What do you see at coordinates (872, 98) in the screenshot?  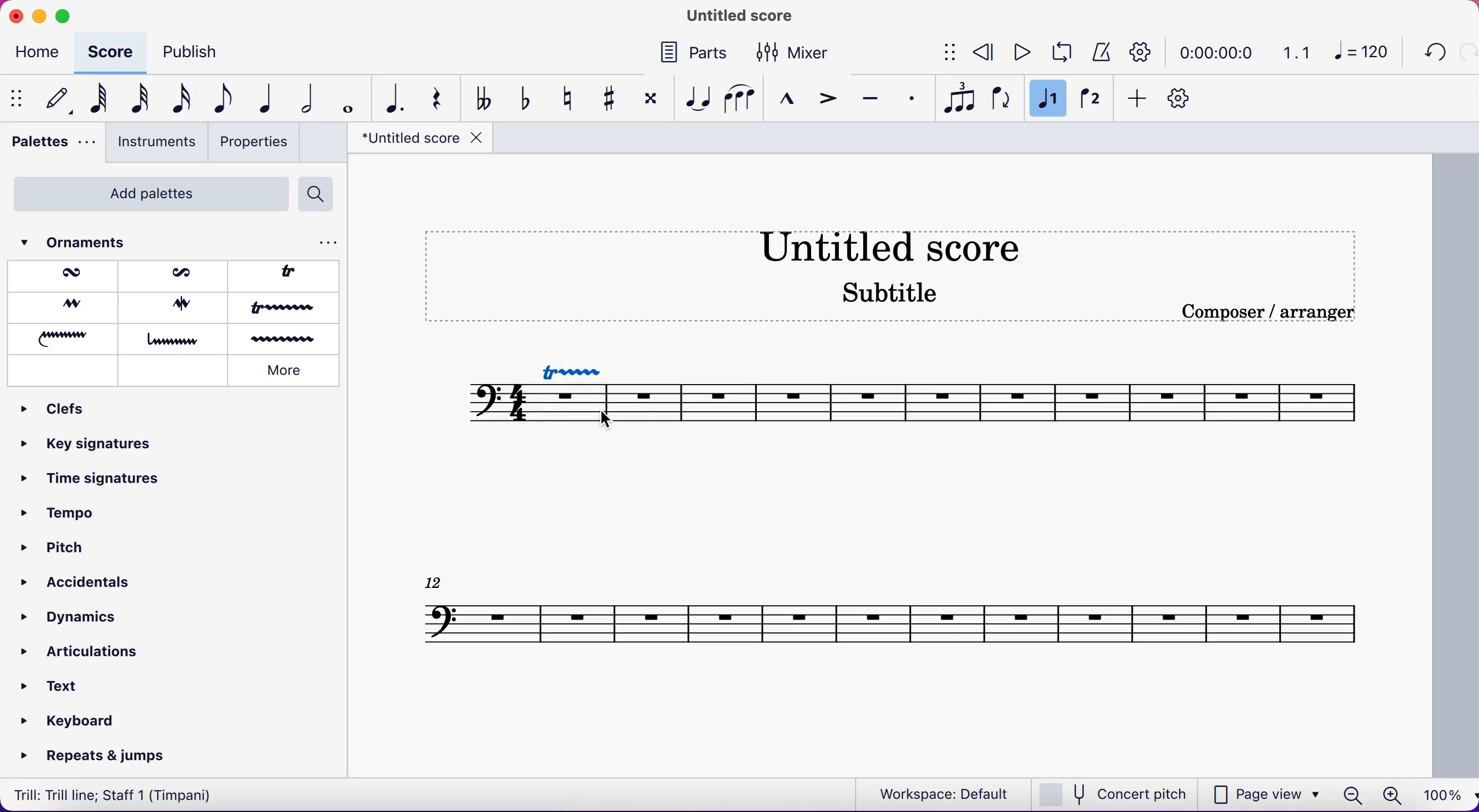 I see `tenuto` at bounding box center [872, 98].